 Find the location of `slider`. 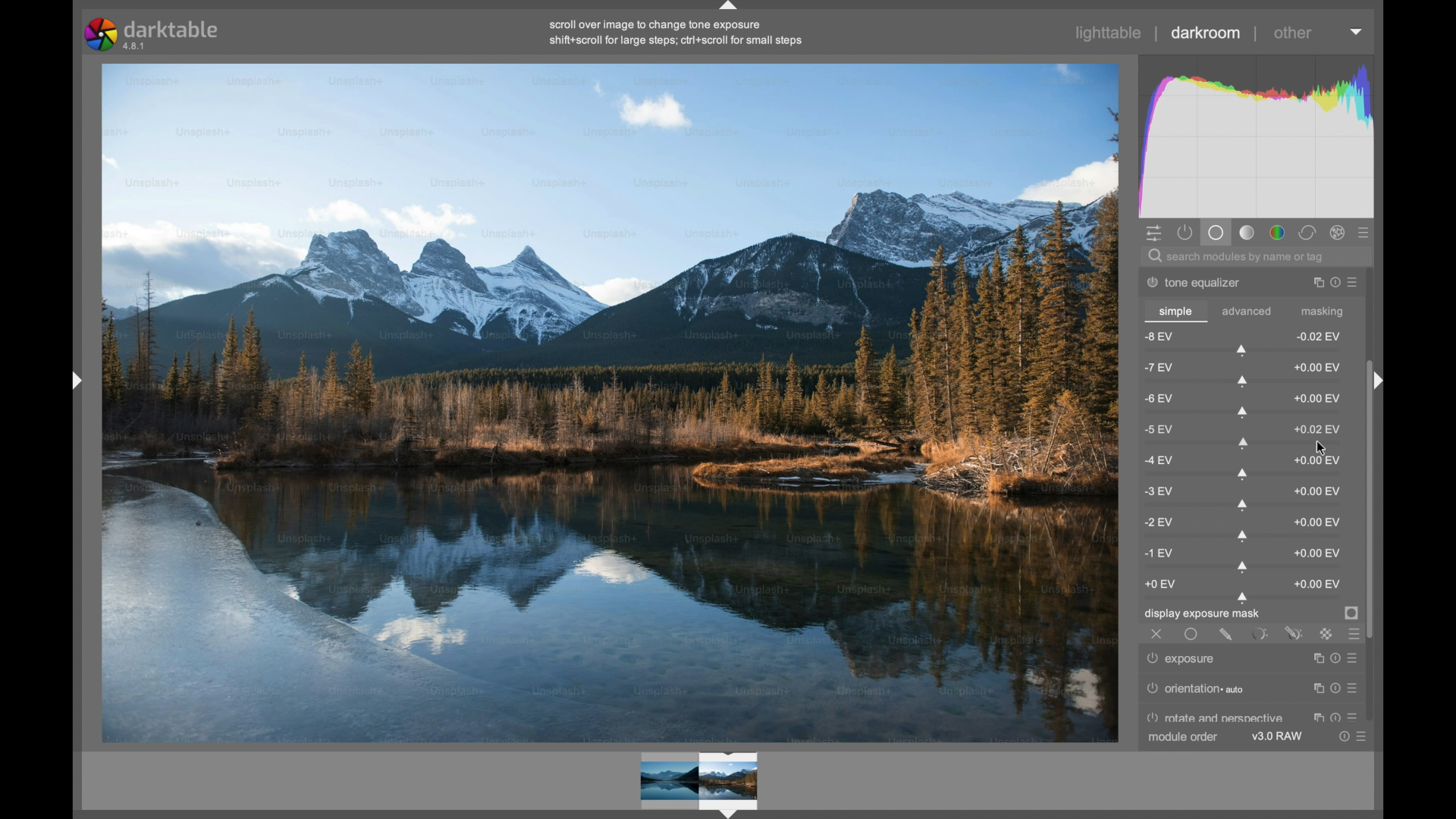

slider is located at coordinates (1241, 350).